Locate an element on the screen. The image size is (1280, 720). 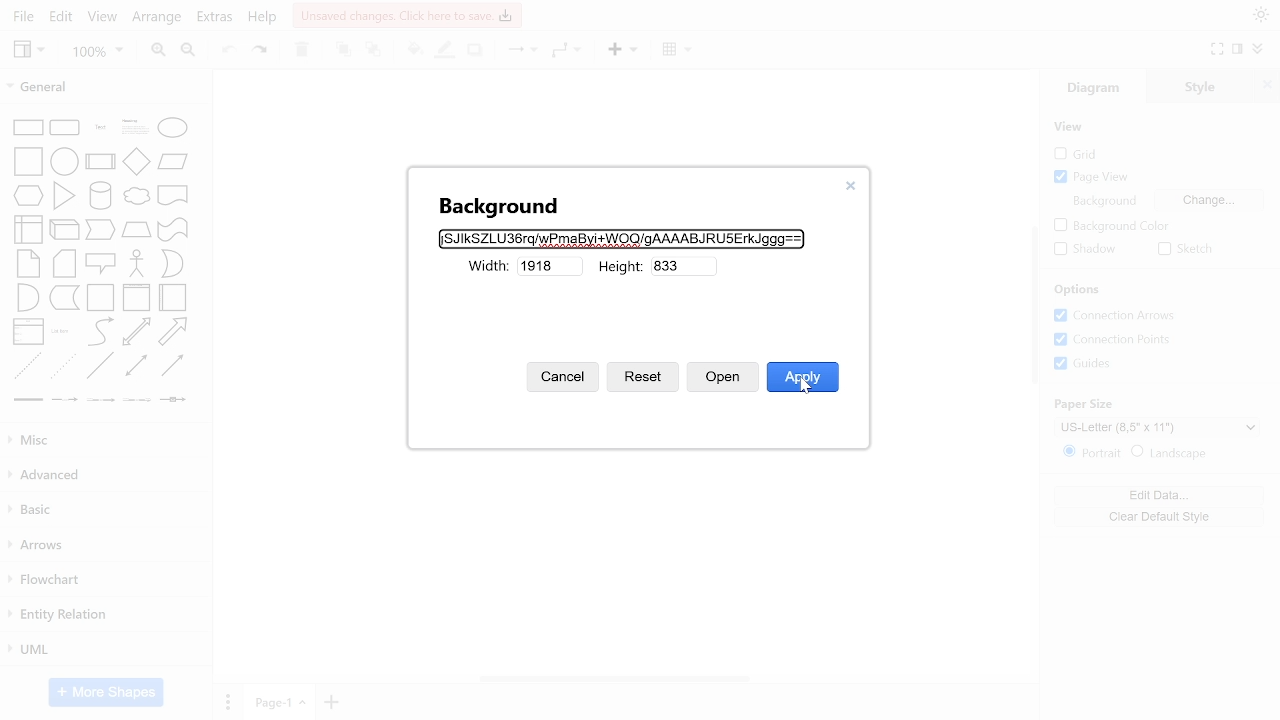
open is located at coordinates (722, 379).